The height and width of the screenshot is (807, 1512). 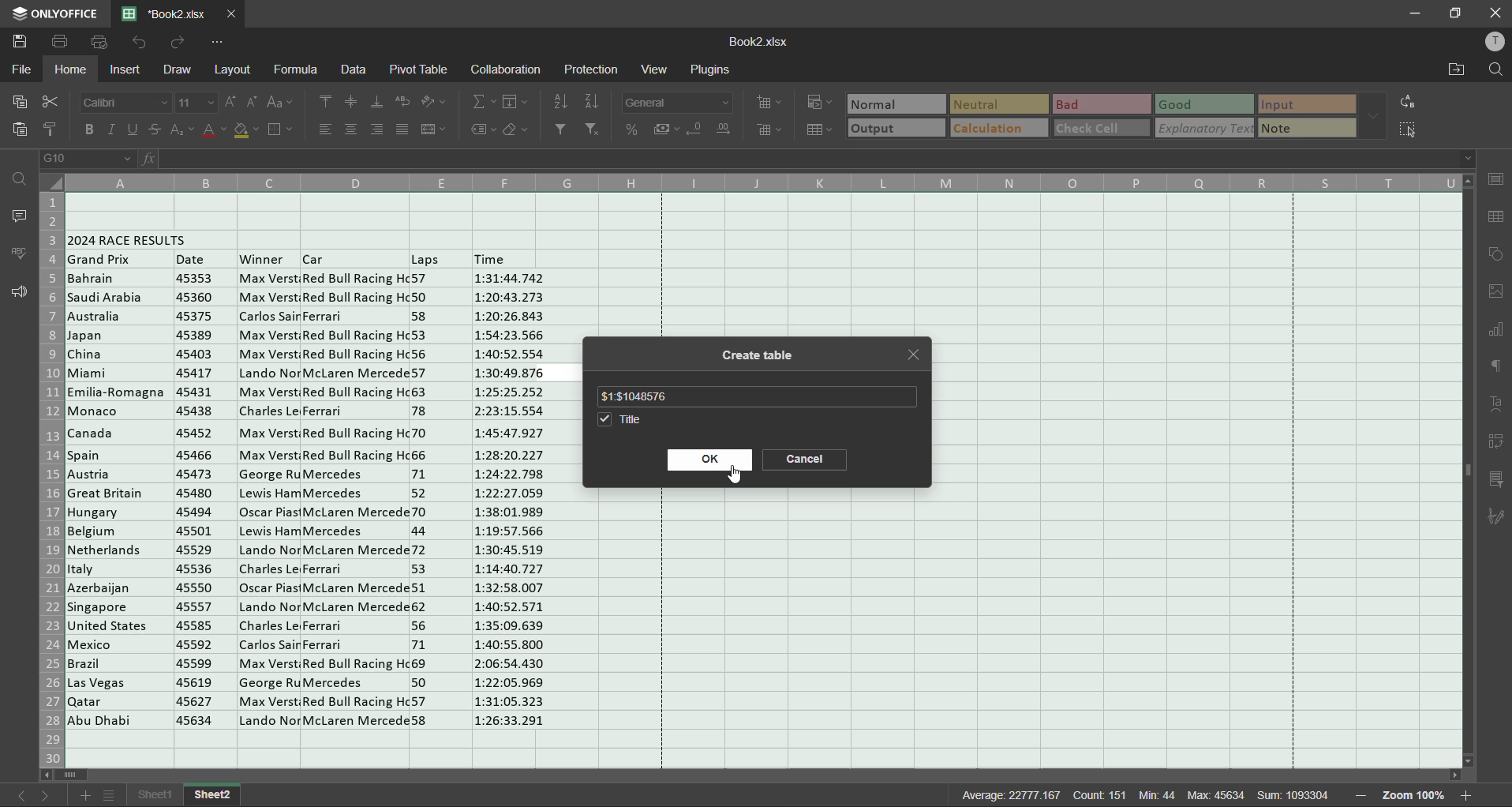 I want to click on view, so click(x=659, y=71).